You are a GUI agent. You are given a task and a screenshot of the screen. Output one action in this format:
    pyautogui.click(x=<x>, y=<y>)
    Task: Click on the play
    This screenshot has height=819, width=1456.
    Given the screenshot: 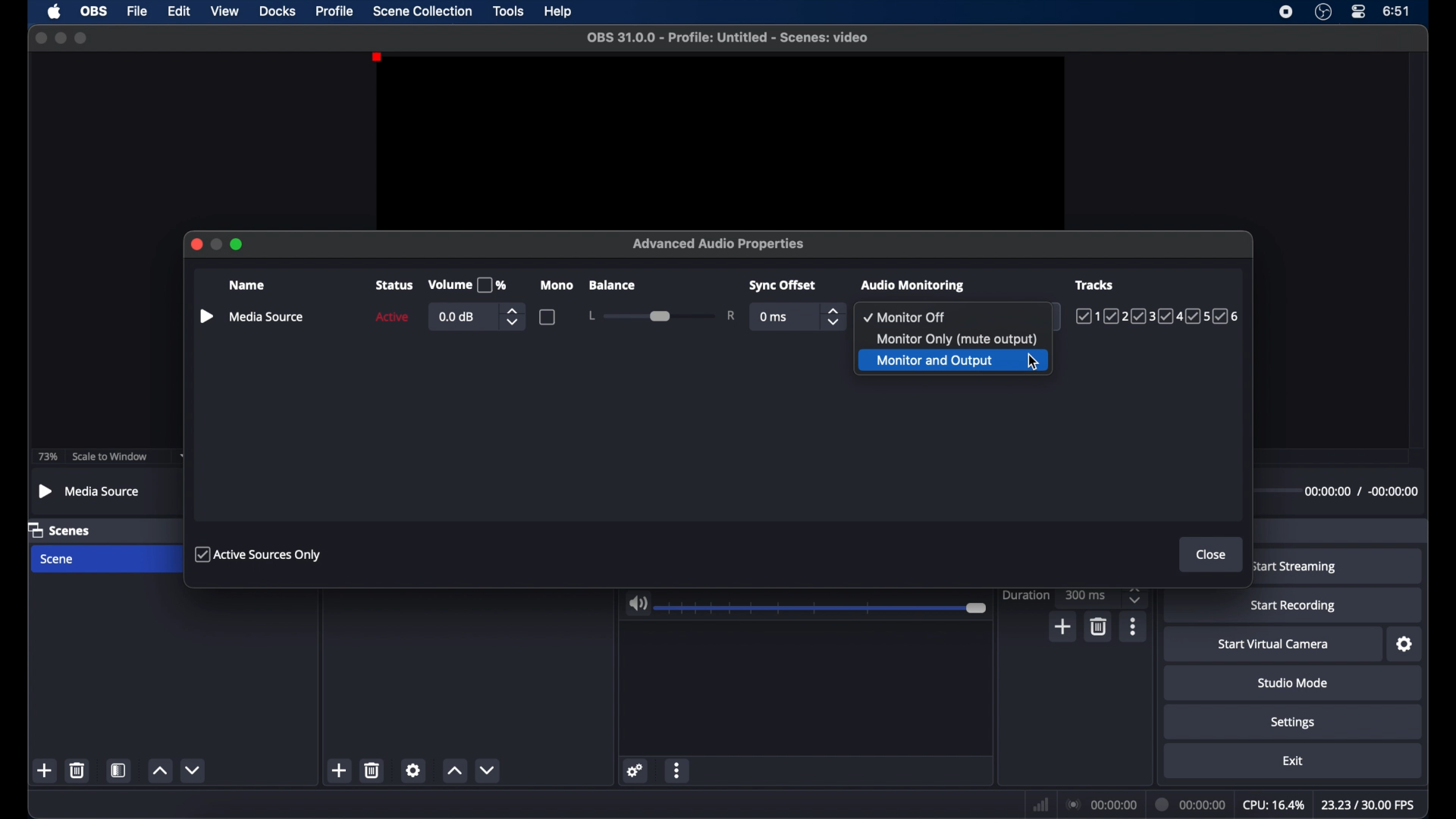 What is the action you would take?
    pyautogui.click(x=206, y=317)
    